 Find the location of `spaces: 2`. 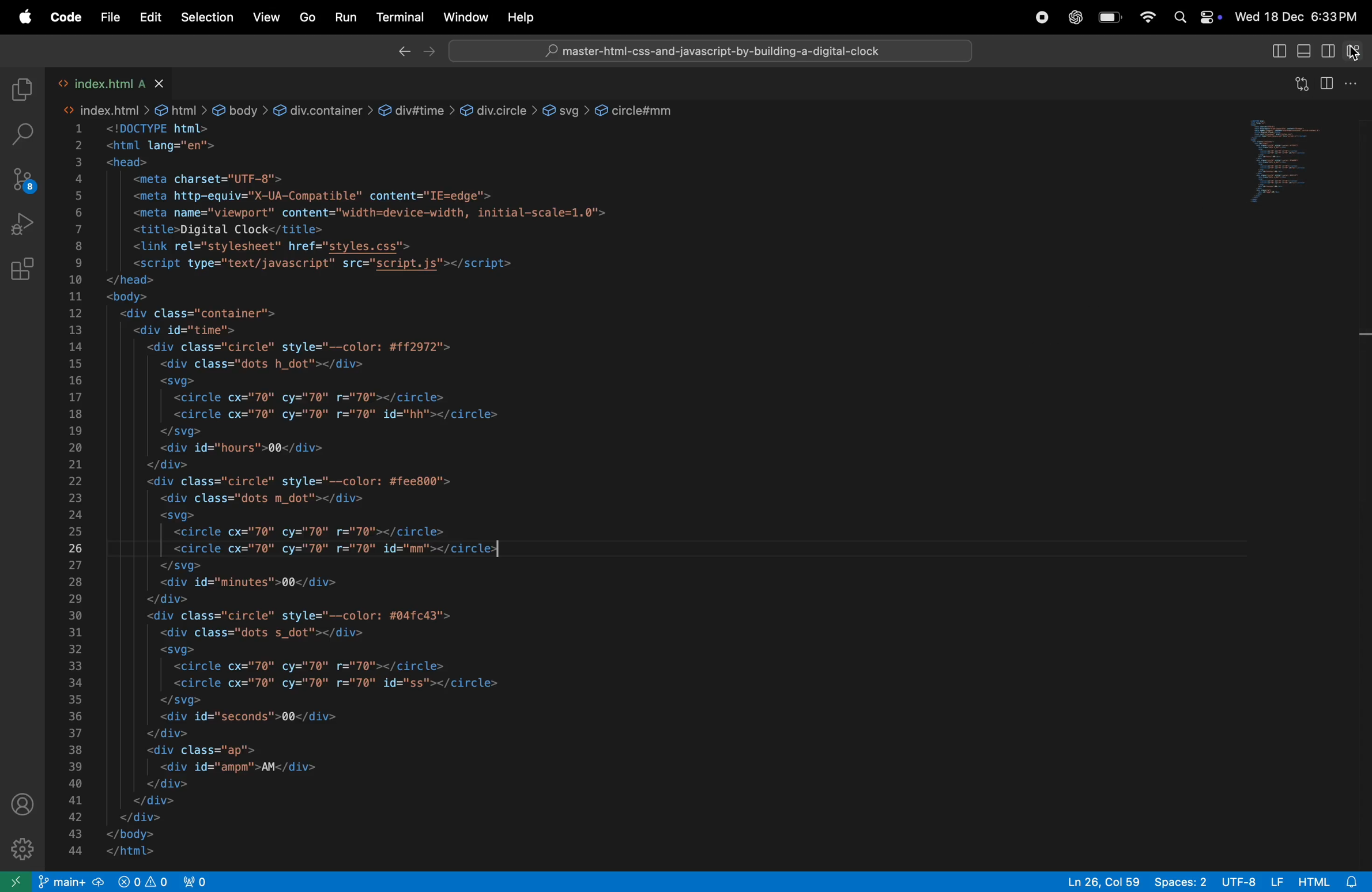

spaces: 2 is located at coordinates (1178, 882).